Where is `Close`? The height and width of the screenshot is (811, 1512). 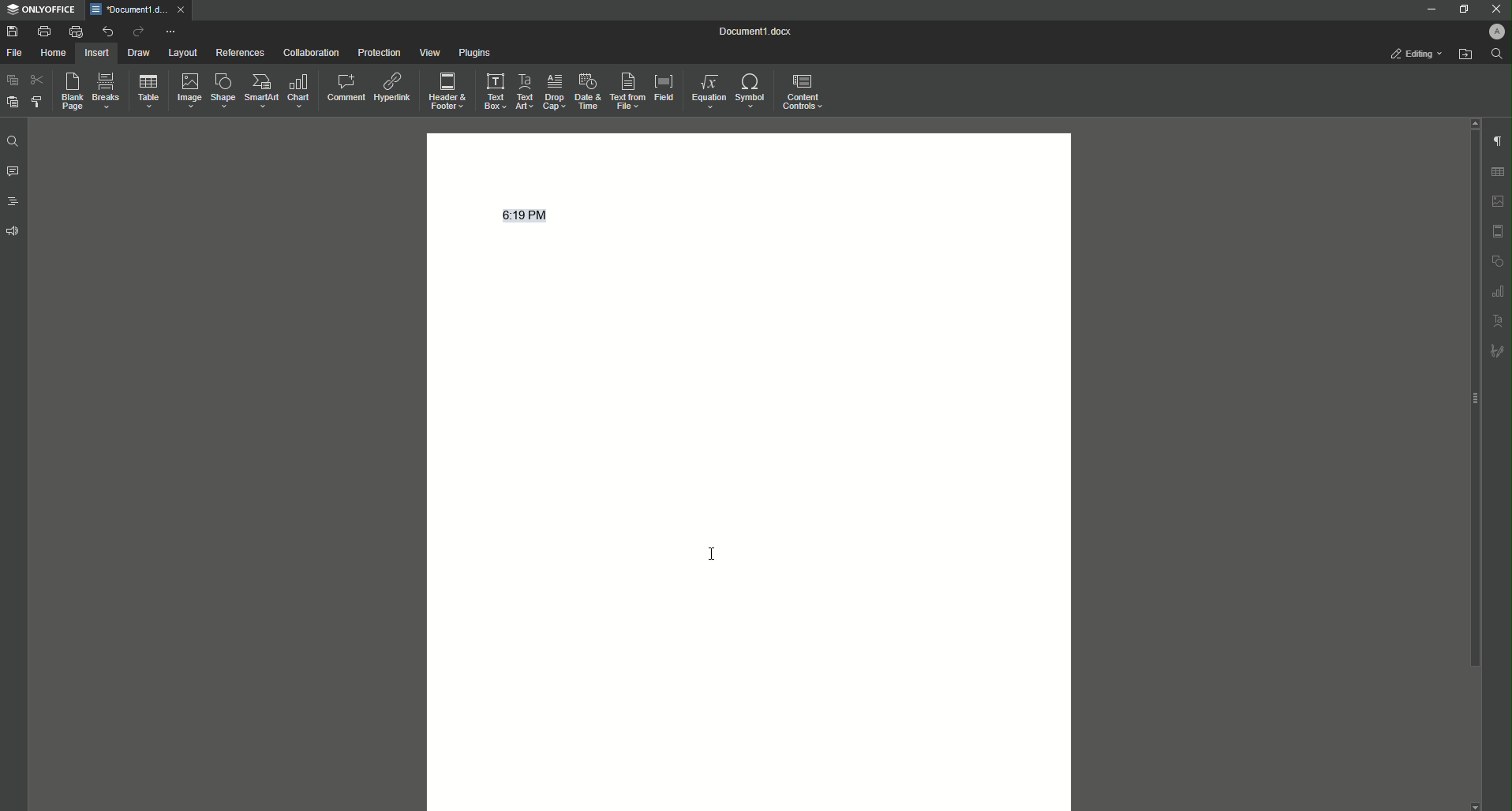
Close is located at coordinates (1495, 9).